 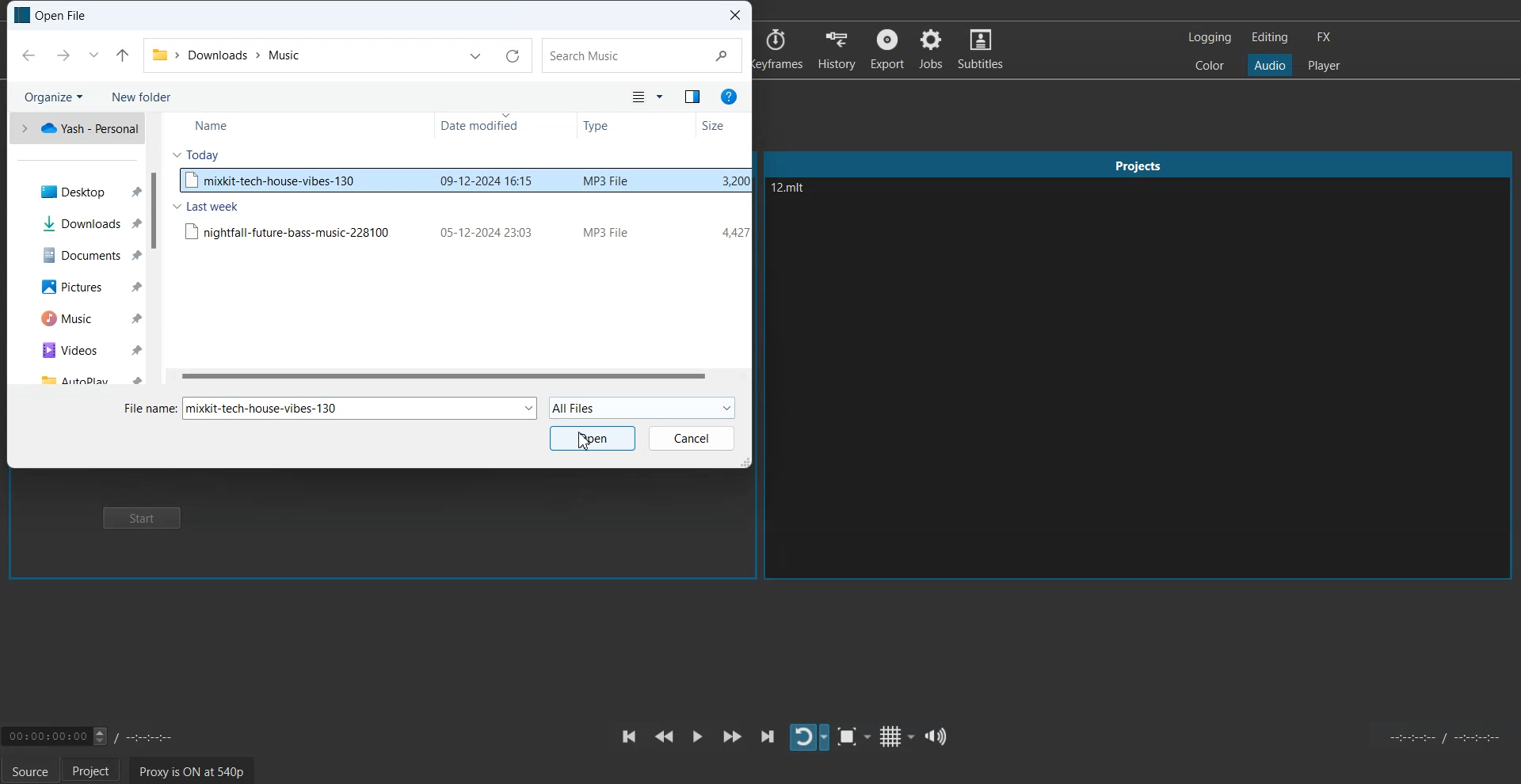 I want to click on Play Quickly Backwards, so click(x=664, y=736).